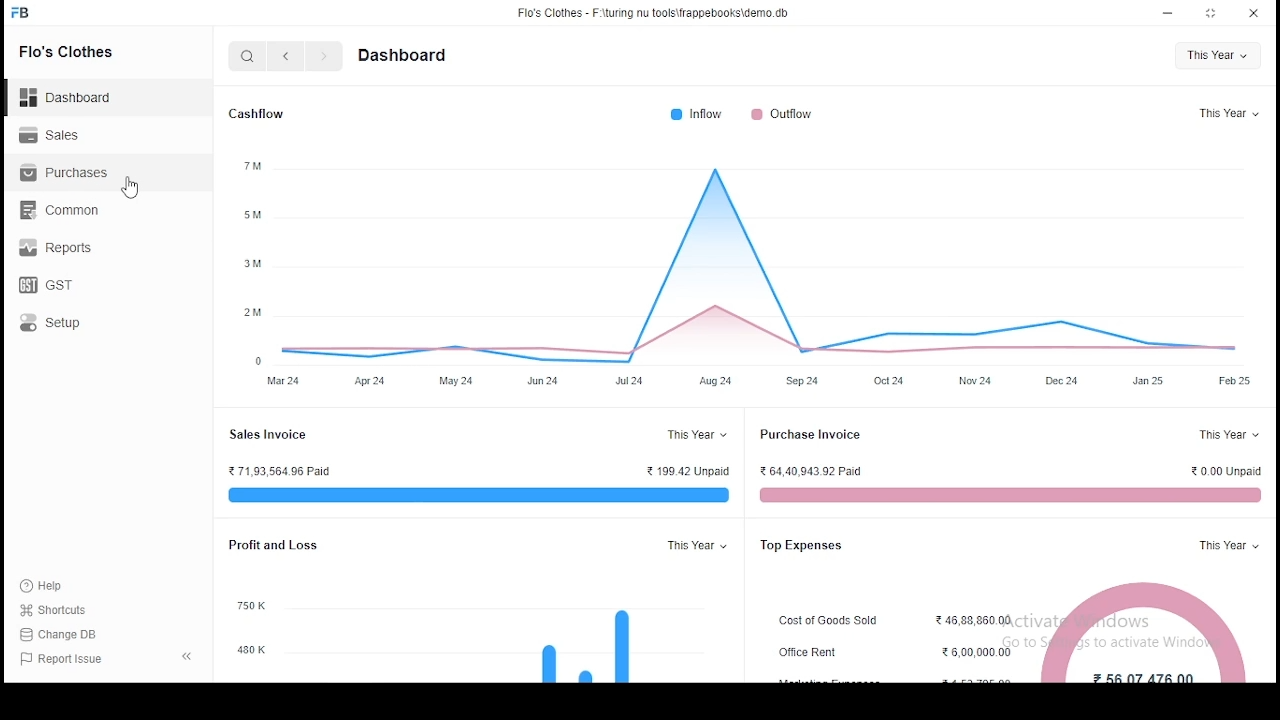  What do you see at coordinates (1170, 12) in the screenshot?
I see `minimize` at bounding box center [1170, 12].